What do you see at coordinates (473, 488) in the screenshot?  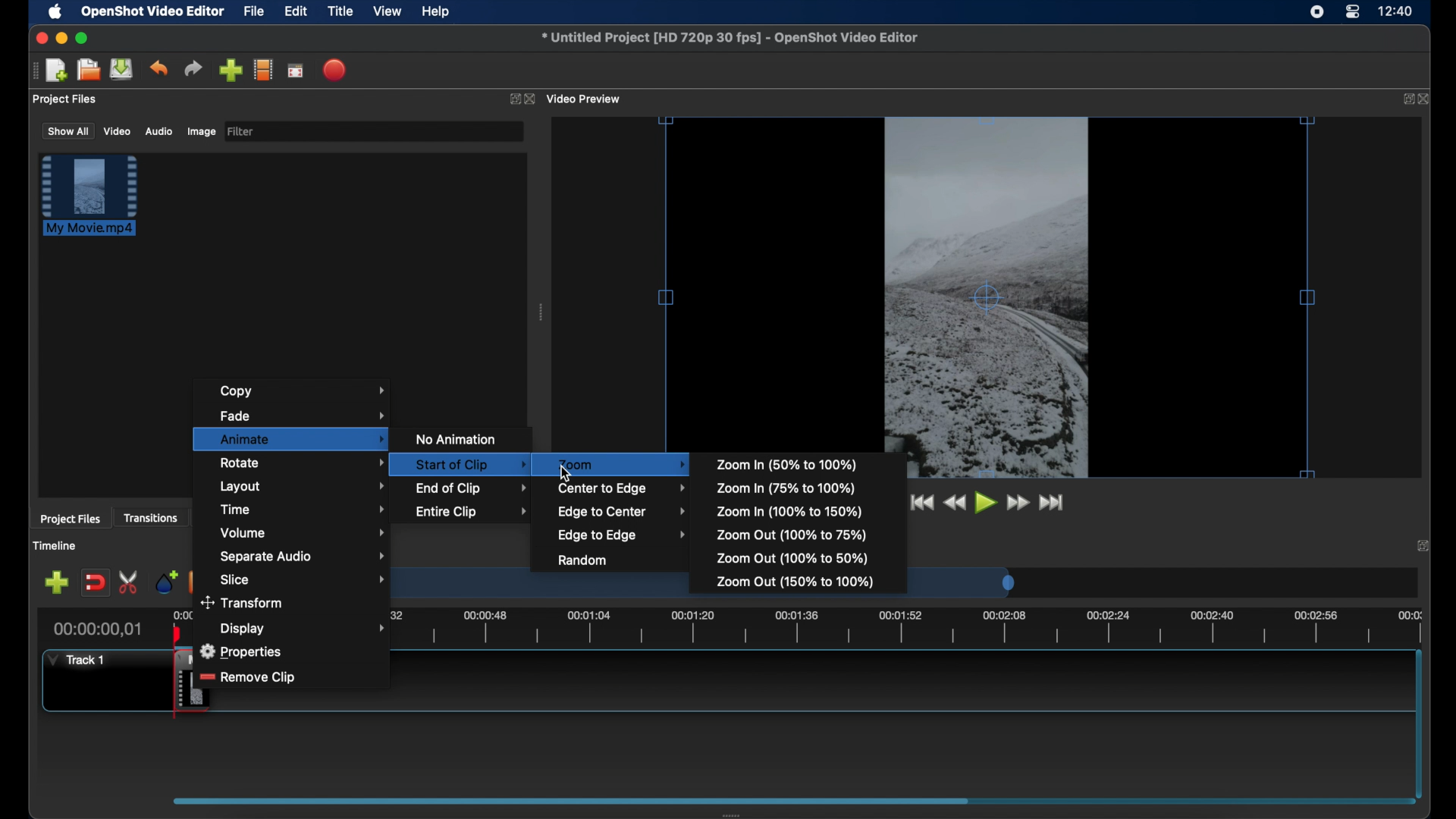 I see `end of clip menu` at bounding box center [473, 488].